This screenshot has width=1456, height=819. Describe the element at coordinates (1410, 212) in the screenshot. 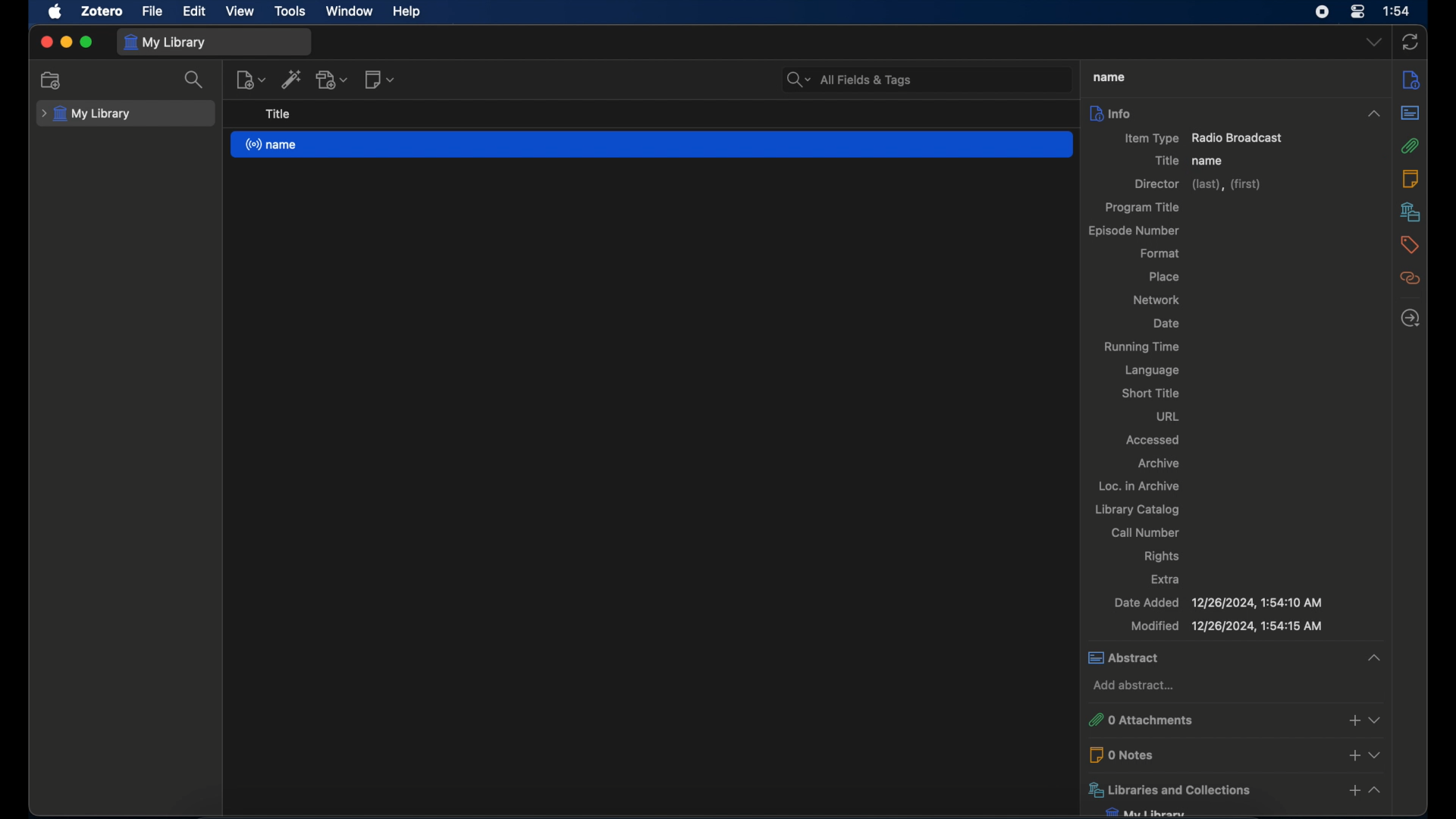

I see `libraries` at that location.